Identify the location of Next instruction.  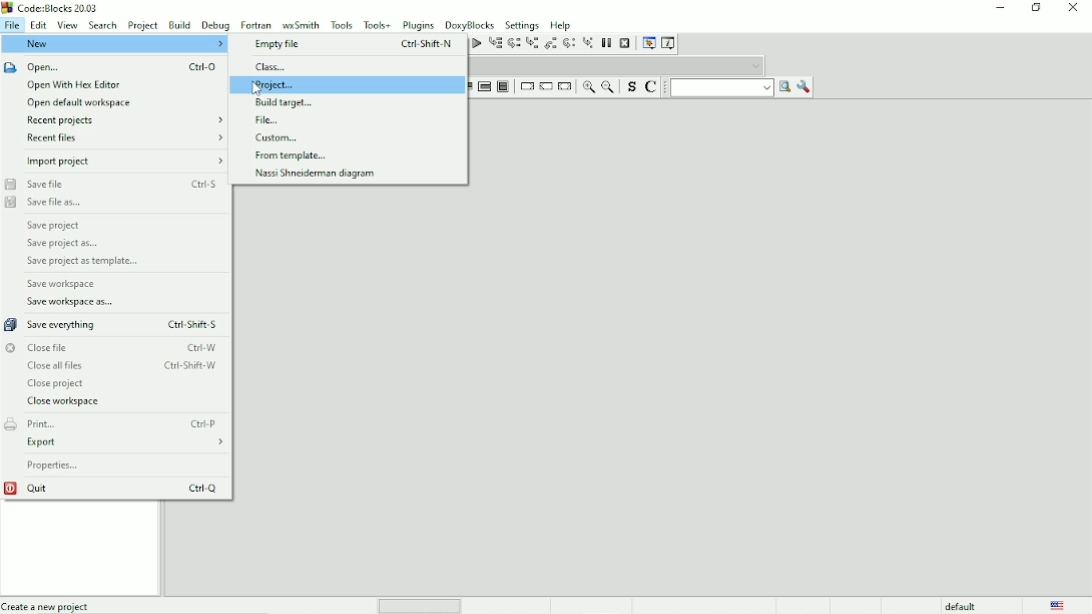
(568, 43).